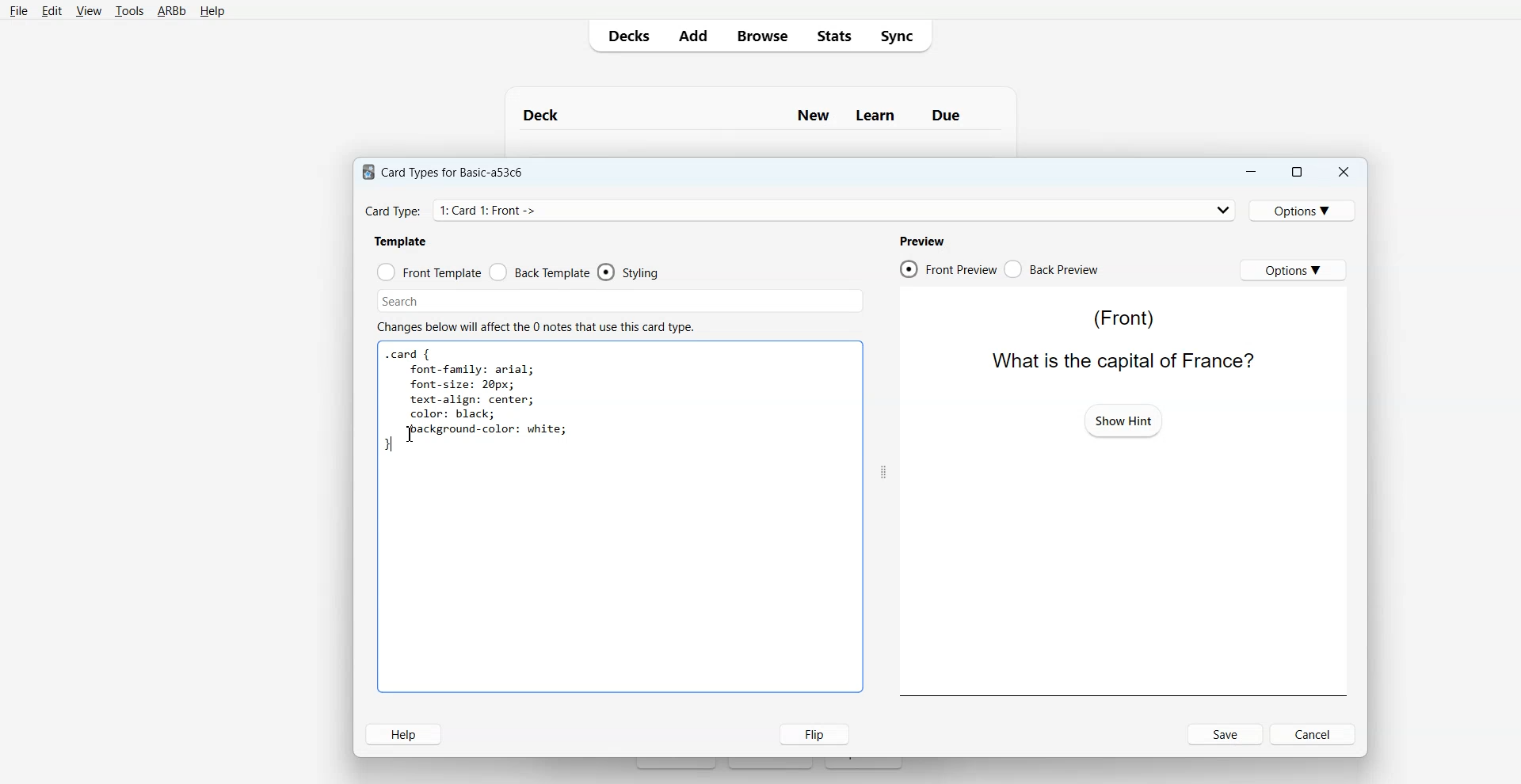 Image resolution: width=1521 pixels, height=784 pixels. What do you see at coordinates (947, 269) in the screenshot?
I see `Front Preview` at bounding box center [947, 269].